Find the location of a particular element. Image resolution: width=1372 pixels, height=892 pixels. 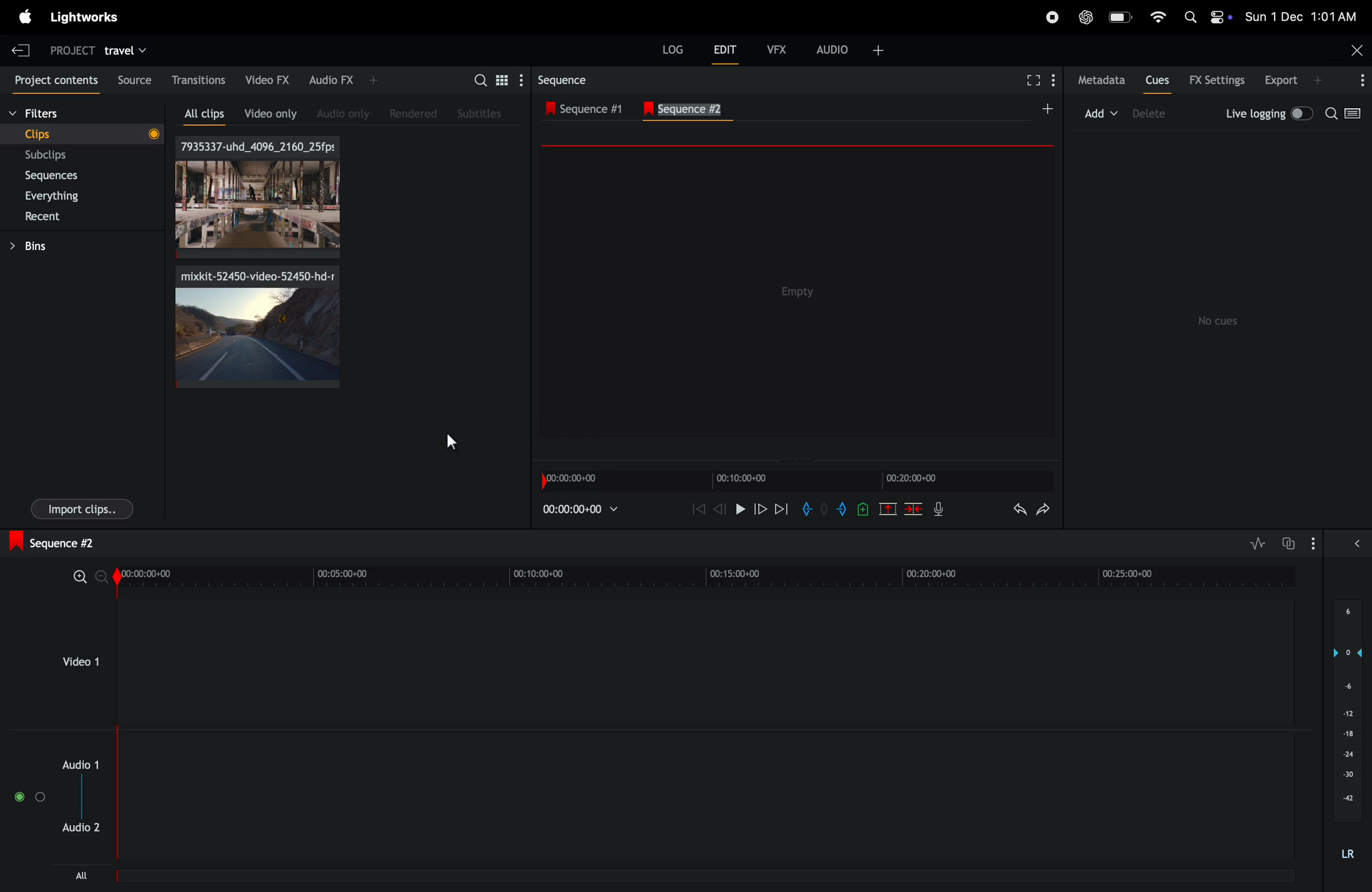

audio only is located at coordinates (346, 111).